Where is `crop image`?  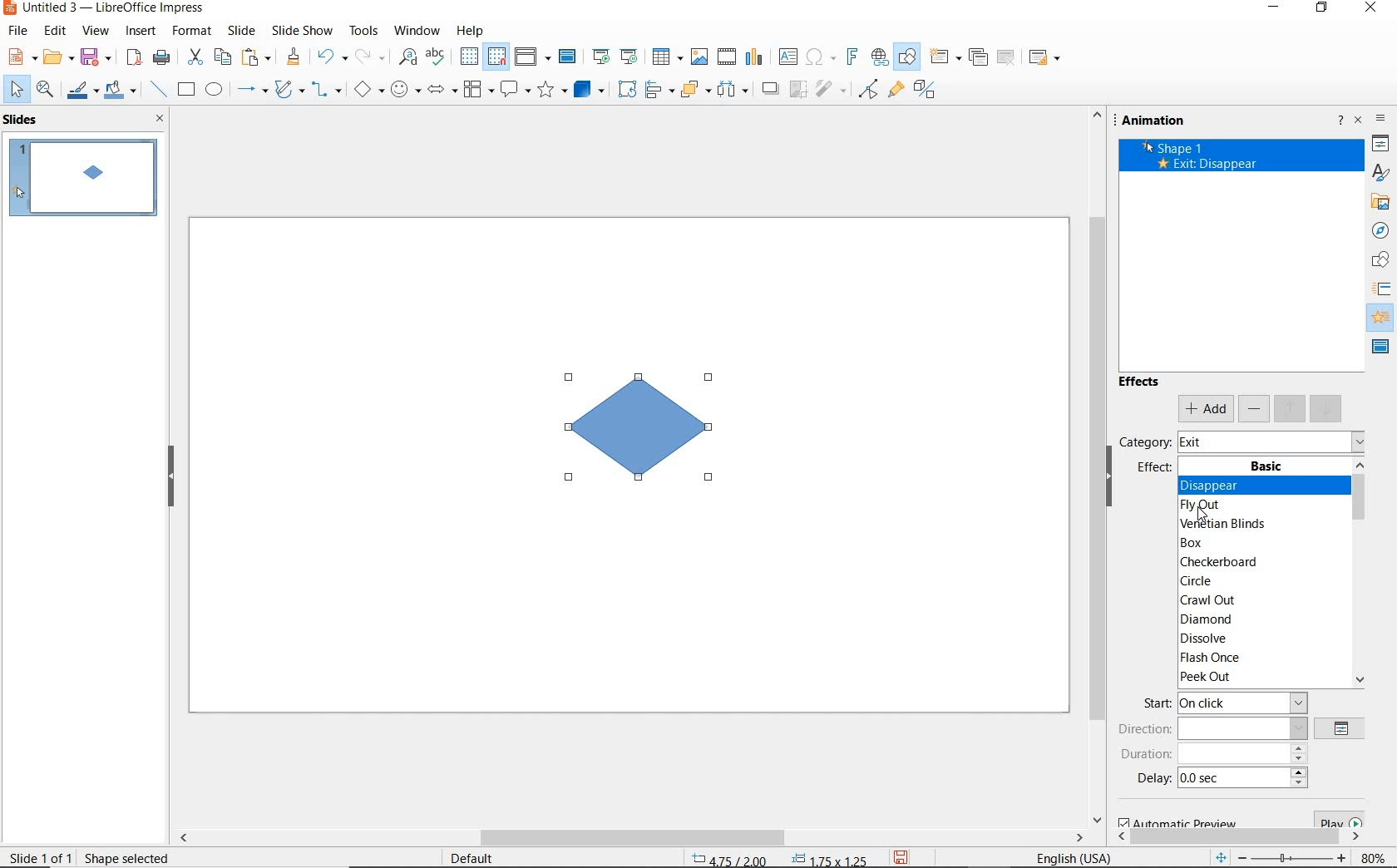
crop image is located at coordinates (798, 90).